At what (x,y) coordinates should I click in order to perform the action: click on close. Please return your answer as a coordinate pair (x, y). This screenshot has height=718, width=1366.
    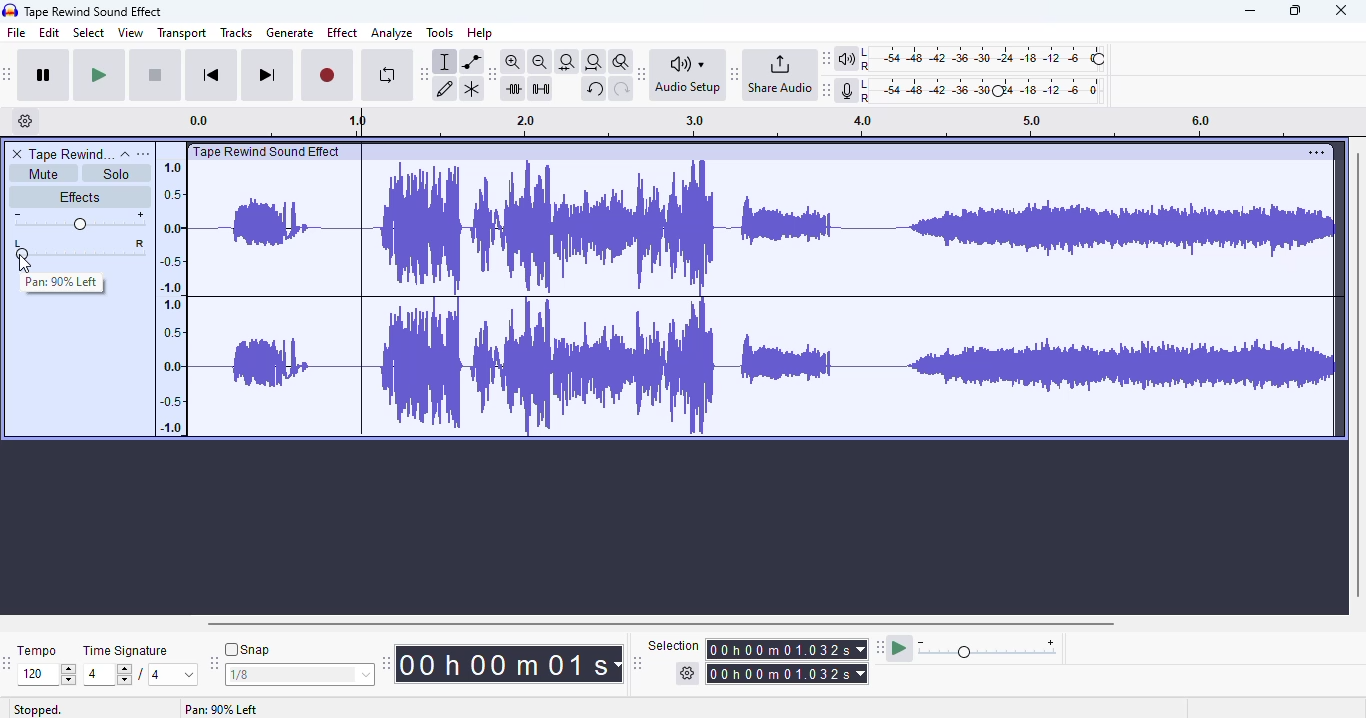
    Looking at the image, I should click on (1340, 10).